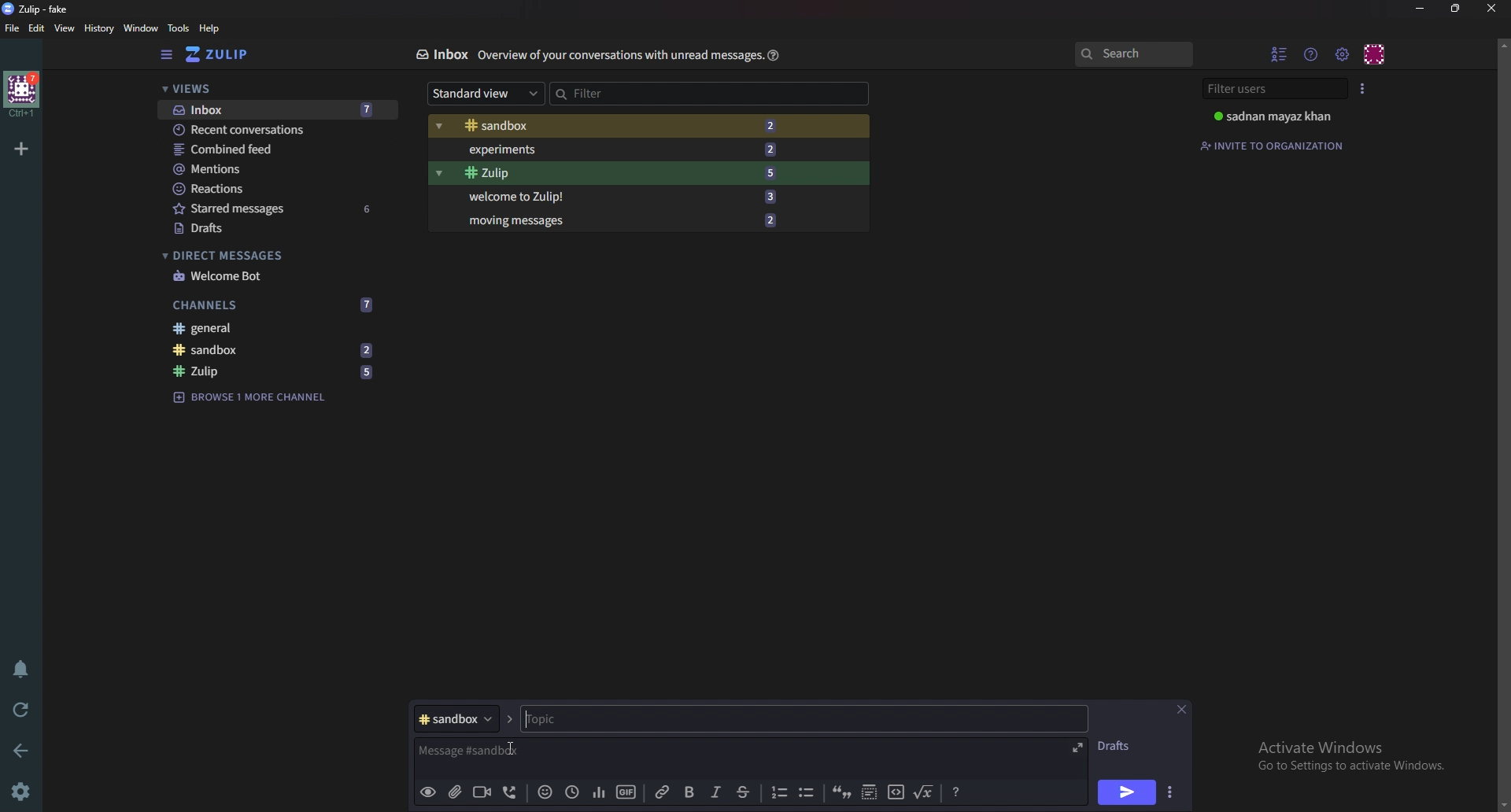 Image resolution: width=1511 pixels, height=812 pixels. What do you see at coordinates (43, 9) in the screenshot?
I see `title` at bounding box center [43, 9].